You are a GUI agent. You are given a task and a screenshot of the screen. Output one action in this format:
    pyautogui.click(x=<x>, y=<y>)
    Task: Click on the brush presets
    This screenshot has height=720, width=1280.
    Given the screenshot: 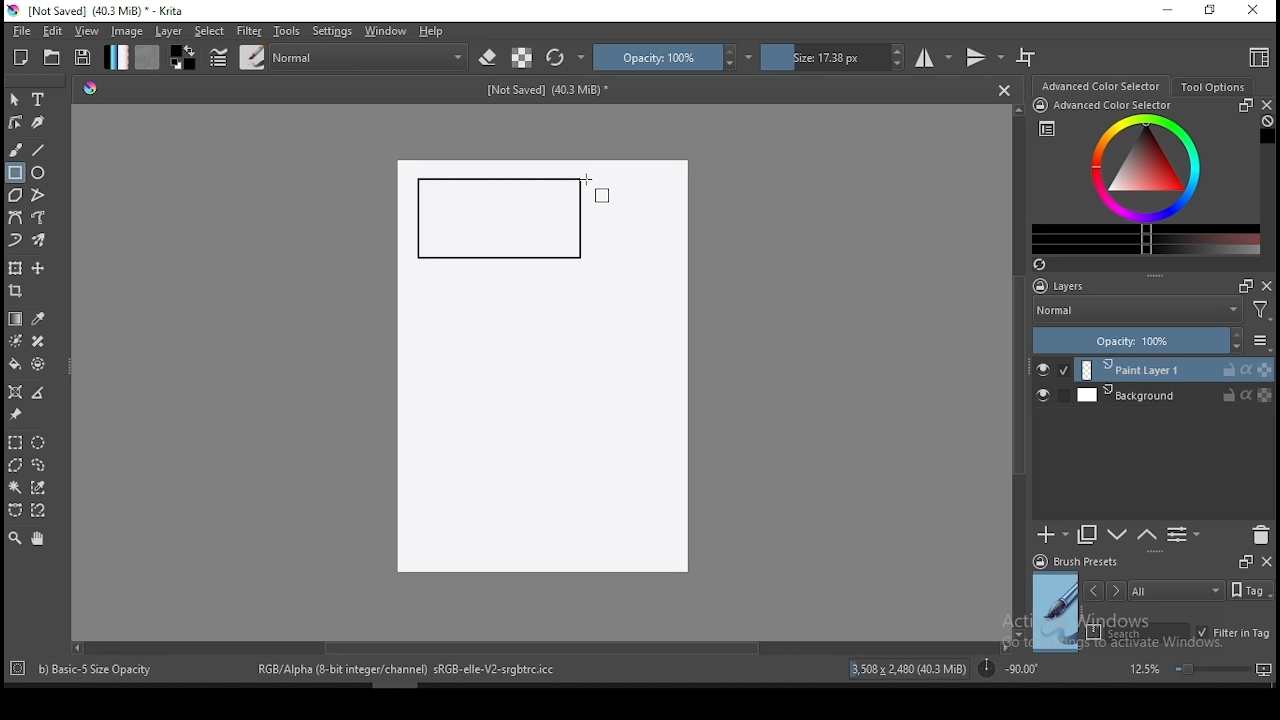 What is the action you would take?
    pyautogui.click(x=1082, y=562)
    